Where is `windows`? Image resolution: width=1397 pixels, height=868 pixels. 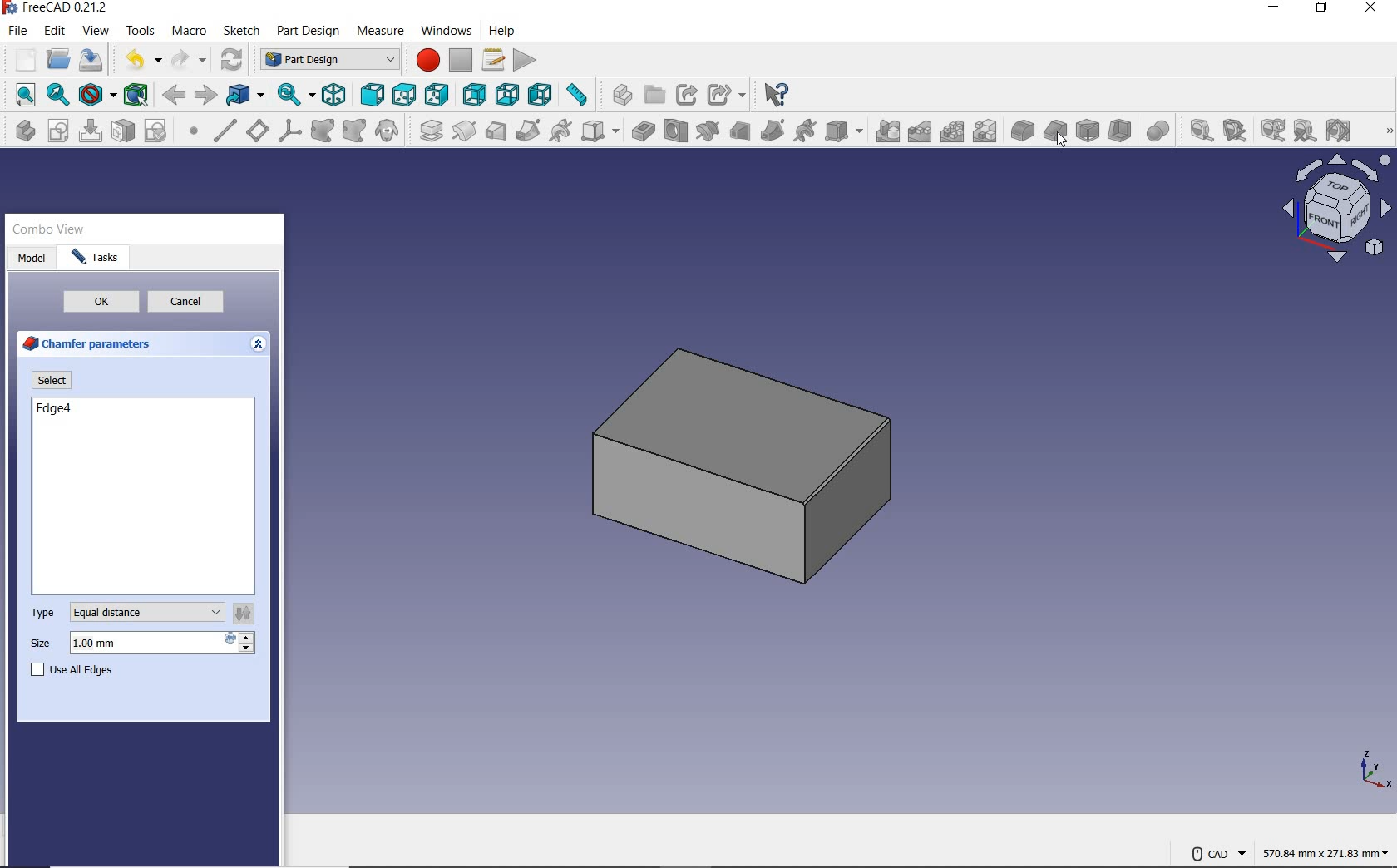 windows is located at coordinates (446, 32).